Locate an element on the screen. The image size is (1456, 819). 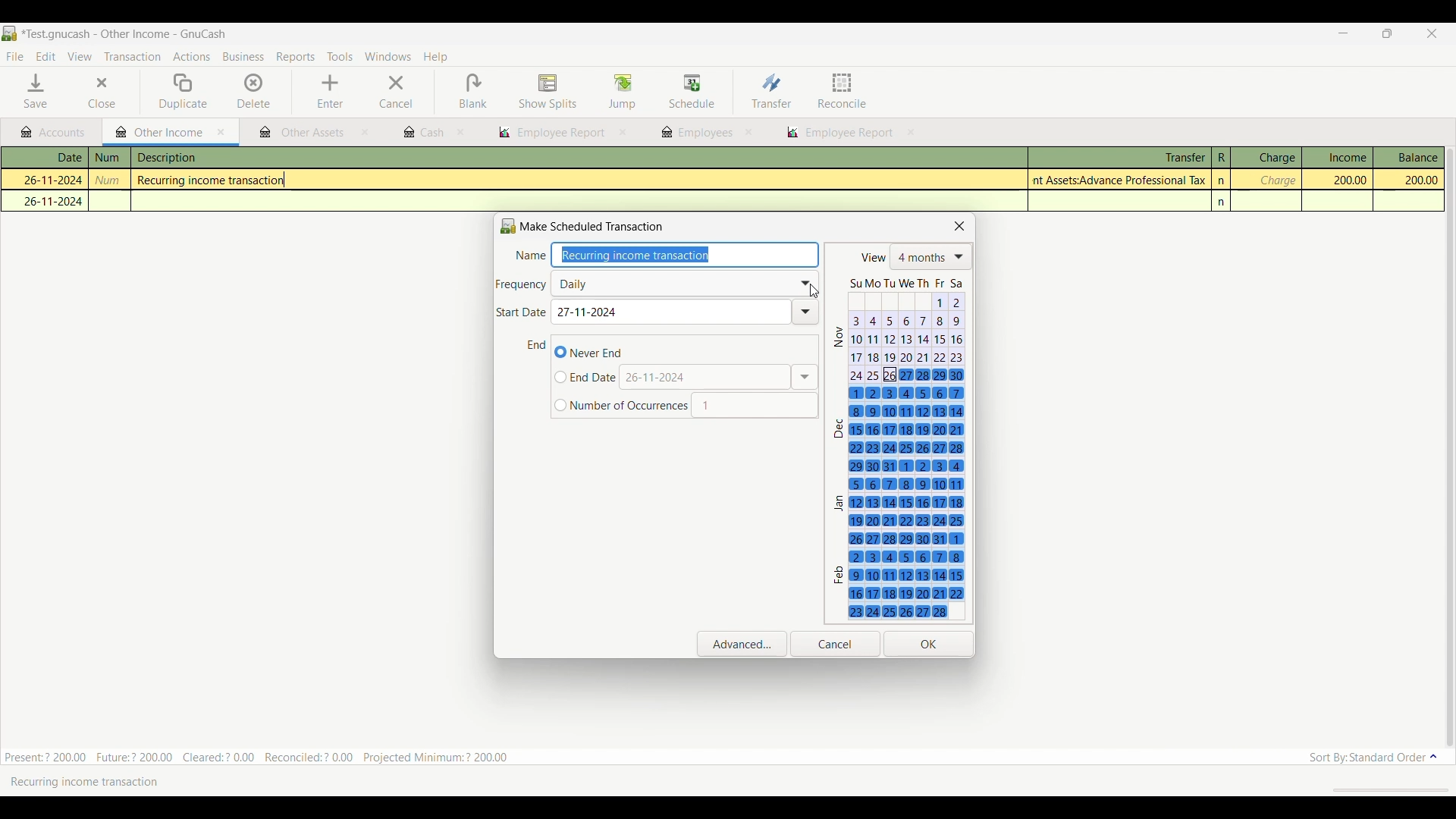
Calendar drop down to select end date is located at coordinates (805, 377).